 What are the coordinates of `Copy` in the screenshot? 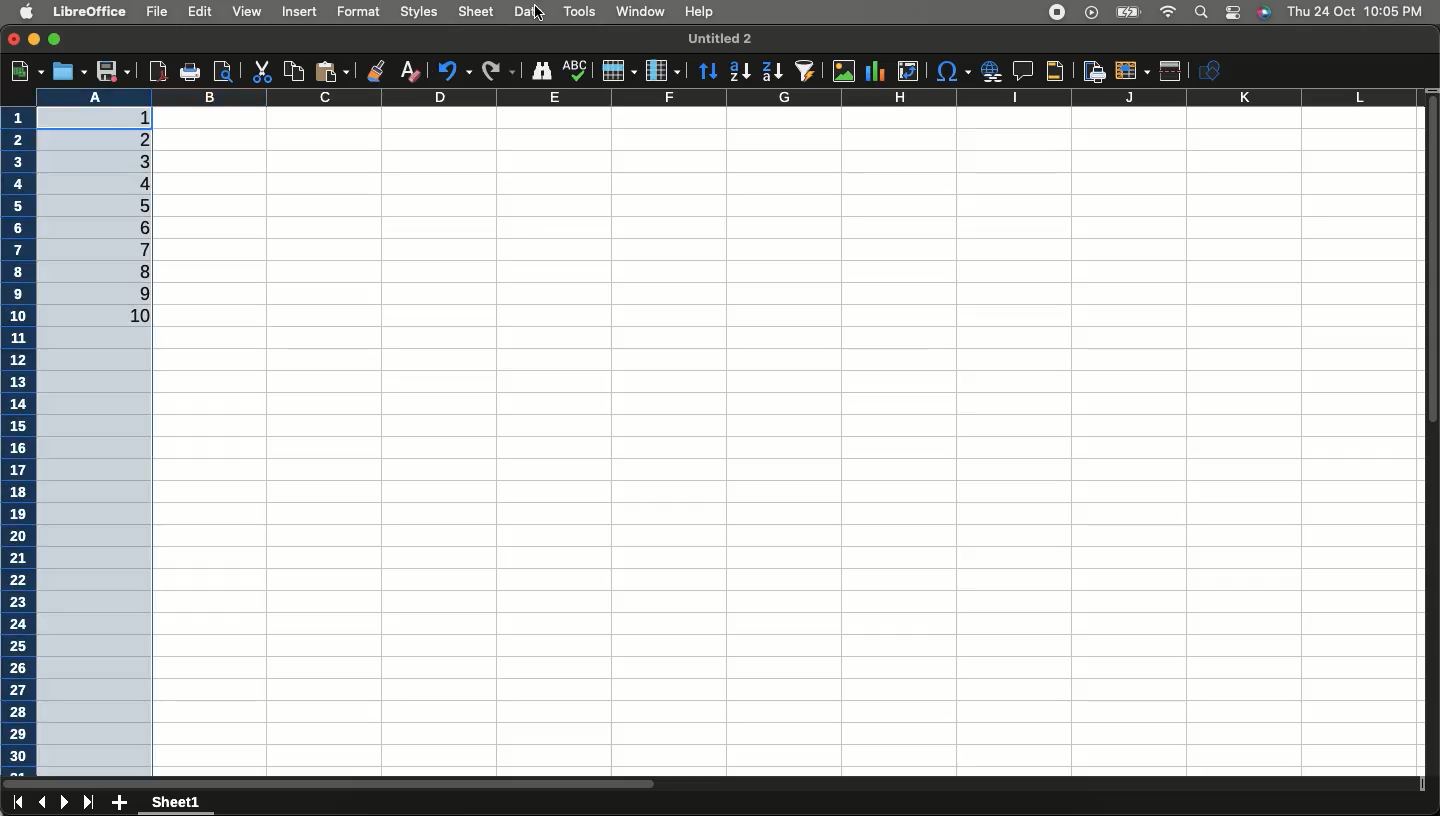 It's located at (291, 70).